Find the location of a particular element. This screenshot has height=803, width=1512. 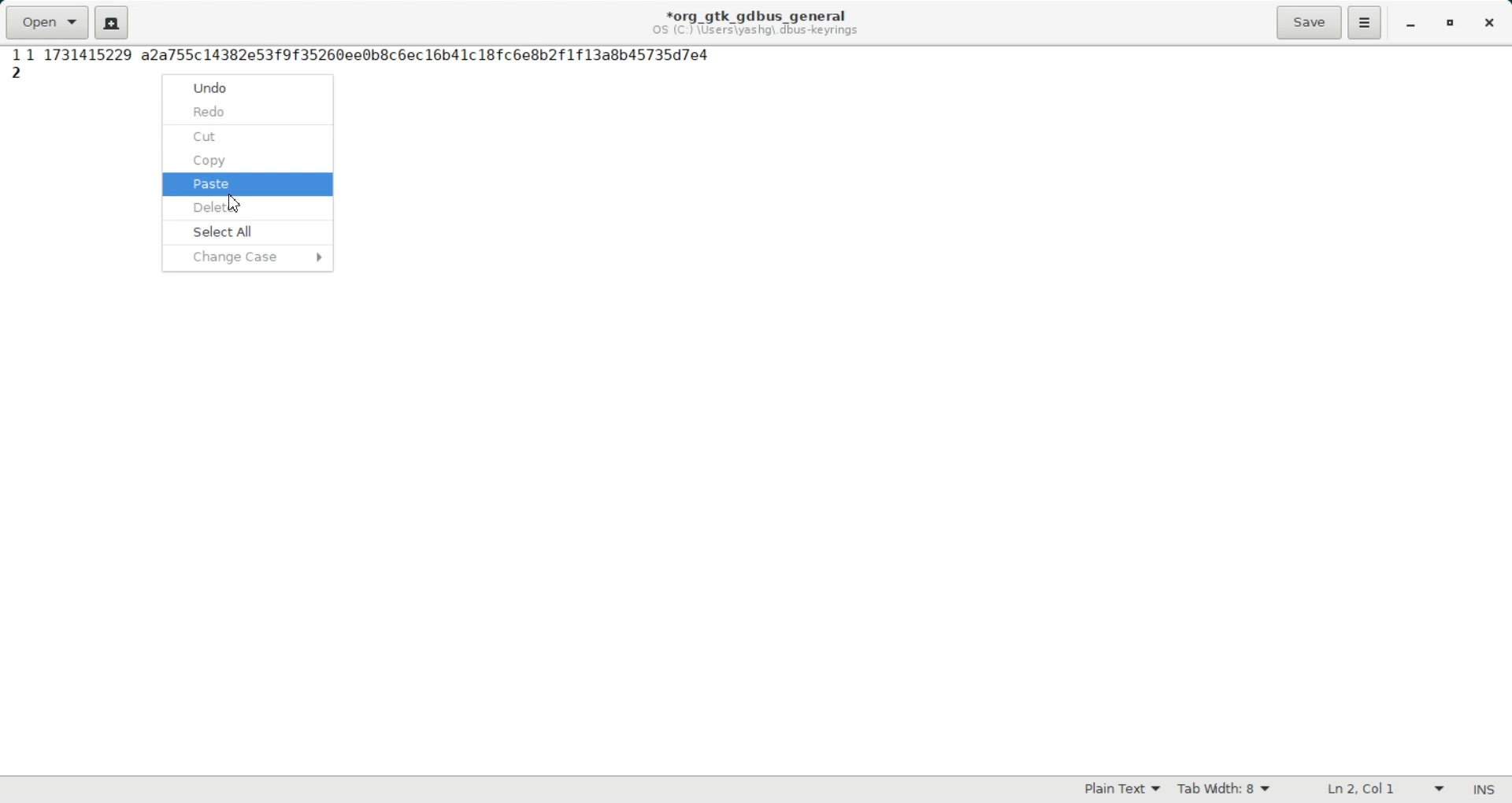

Tab width is located at coordinates (1225, 790).